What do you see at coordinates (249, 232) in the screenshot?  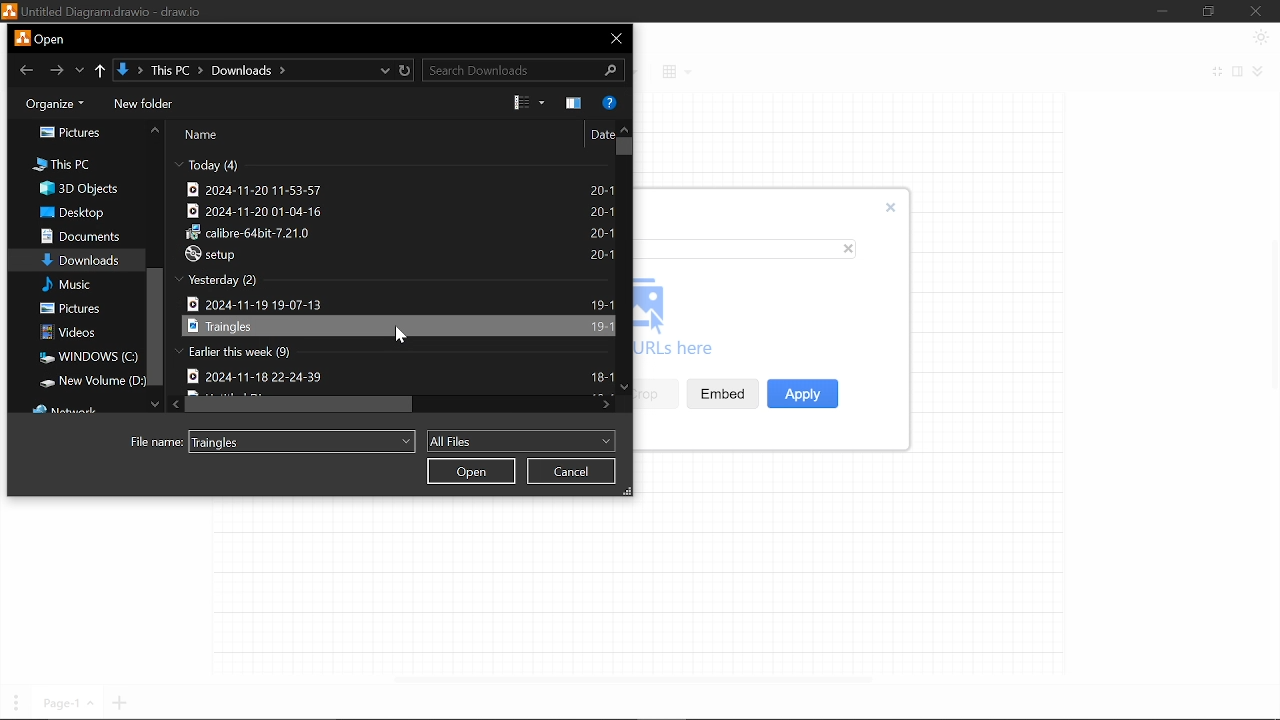 I see `calibre-64bit-7.21.0` at bounding box center [249, 232].